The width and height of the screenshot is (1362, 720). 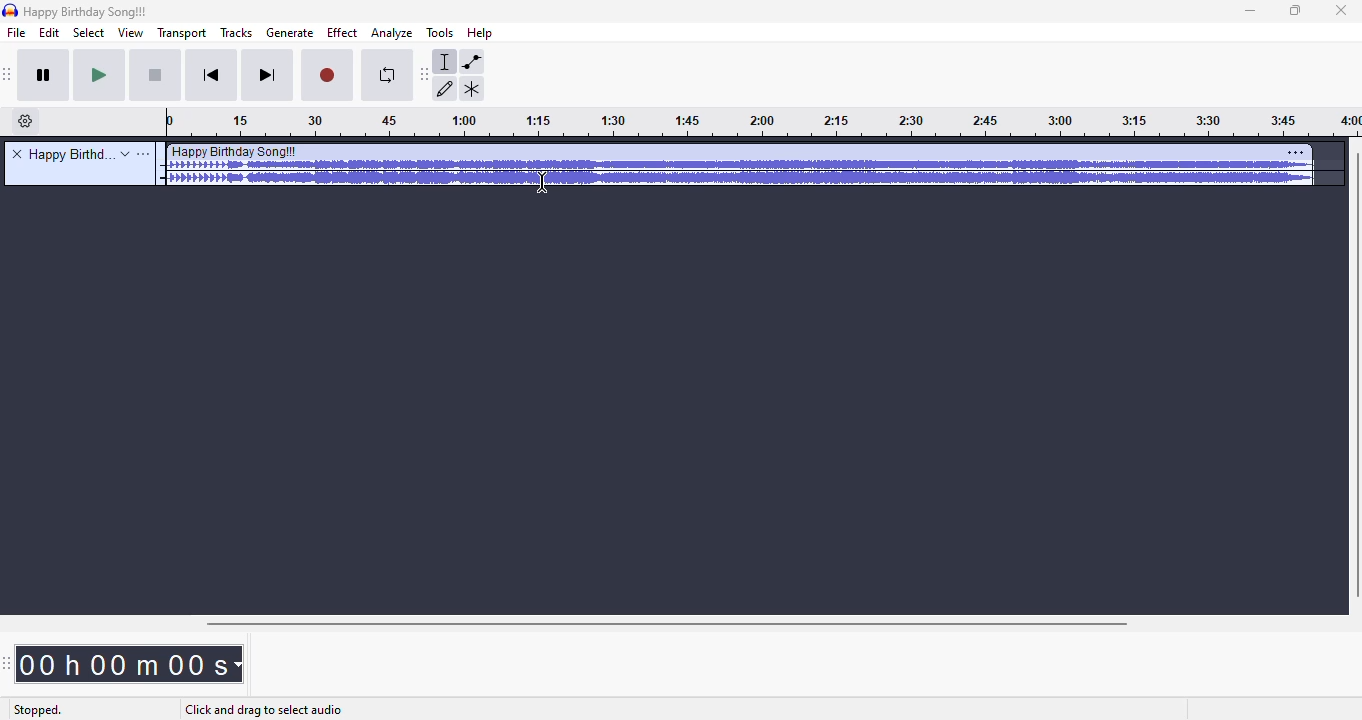 I want to click on multi-tool, so click(x=472, y=89).